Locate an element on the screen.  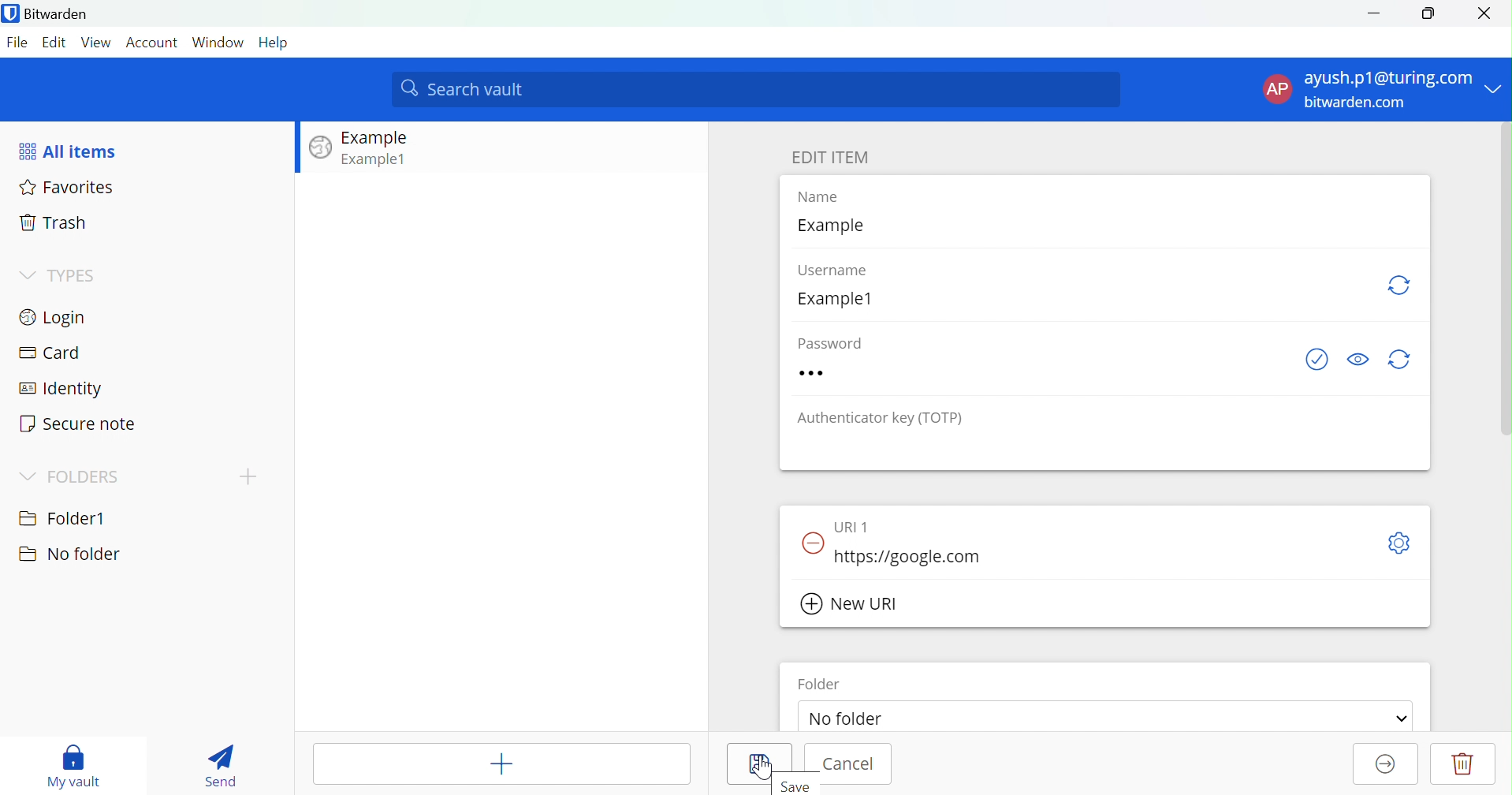
Drop Down is located at coordinates (25, 274).